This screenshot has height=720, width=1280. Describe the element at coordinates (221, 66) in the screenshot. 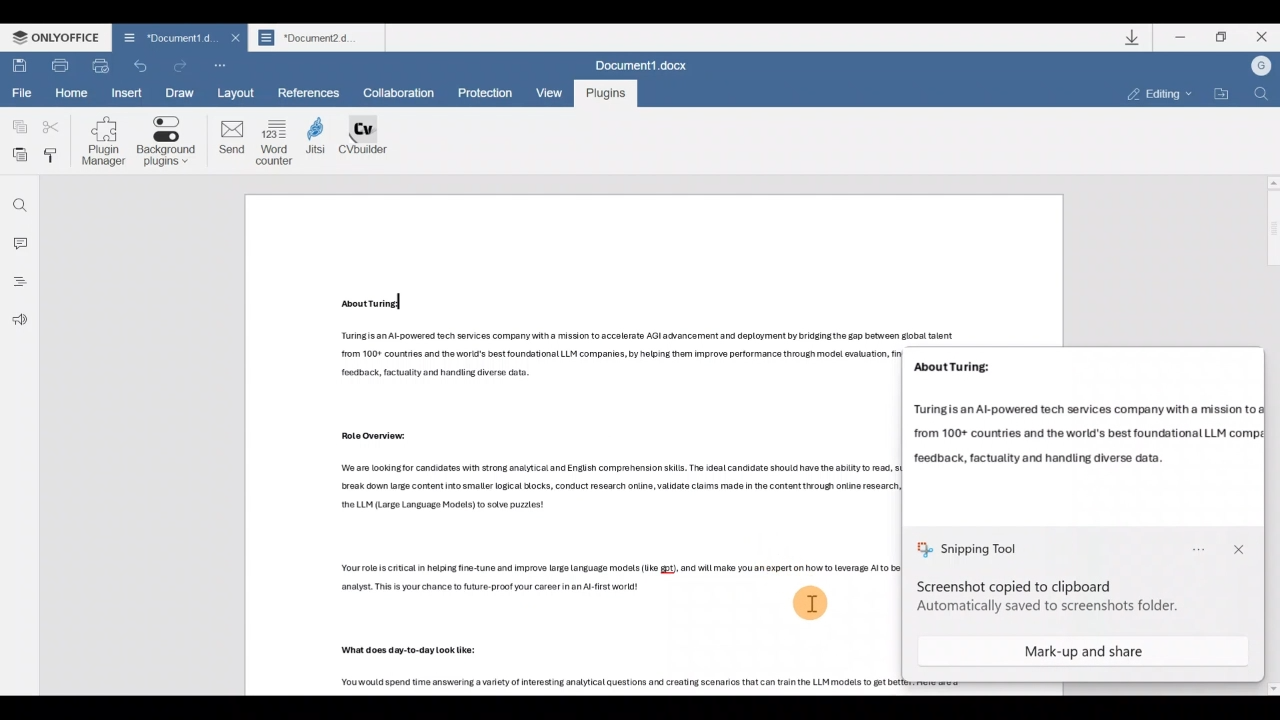

I see `Customize quick access toolbar` at that location.